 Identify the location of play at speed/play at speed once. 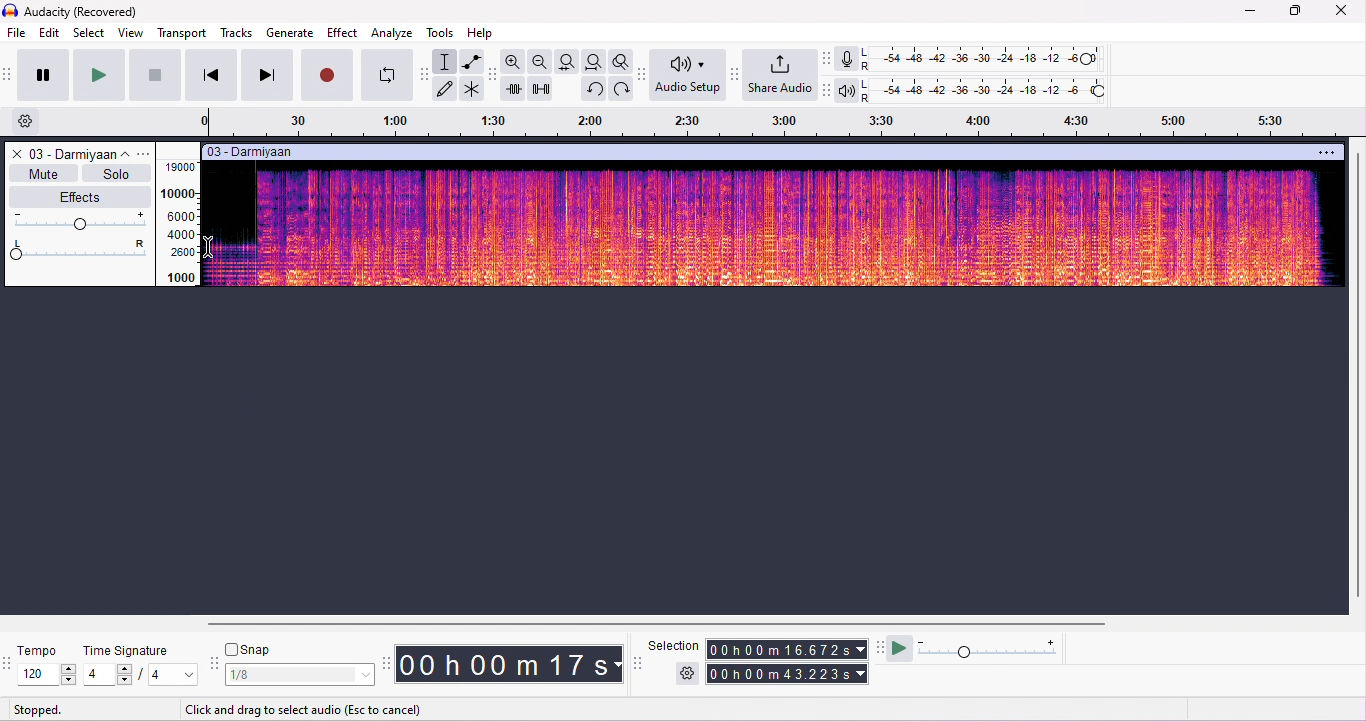
(899, 649).